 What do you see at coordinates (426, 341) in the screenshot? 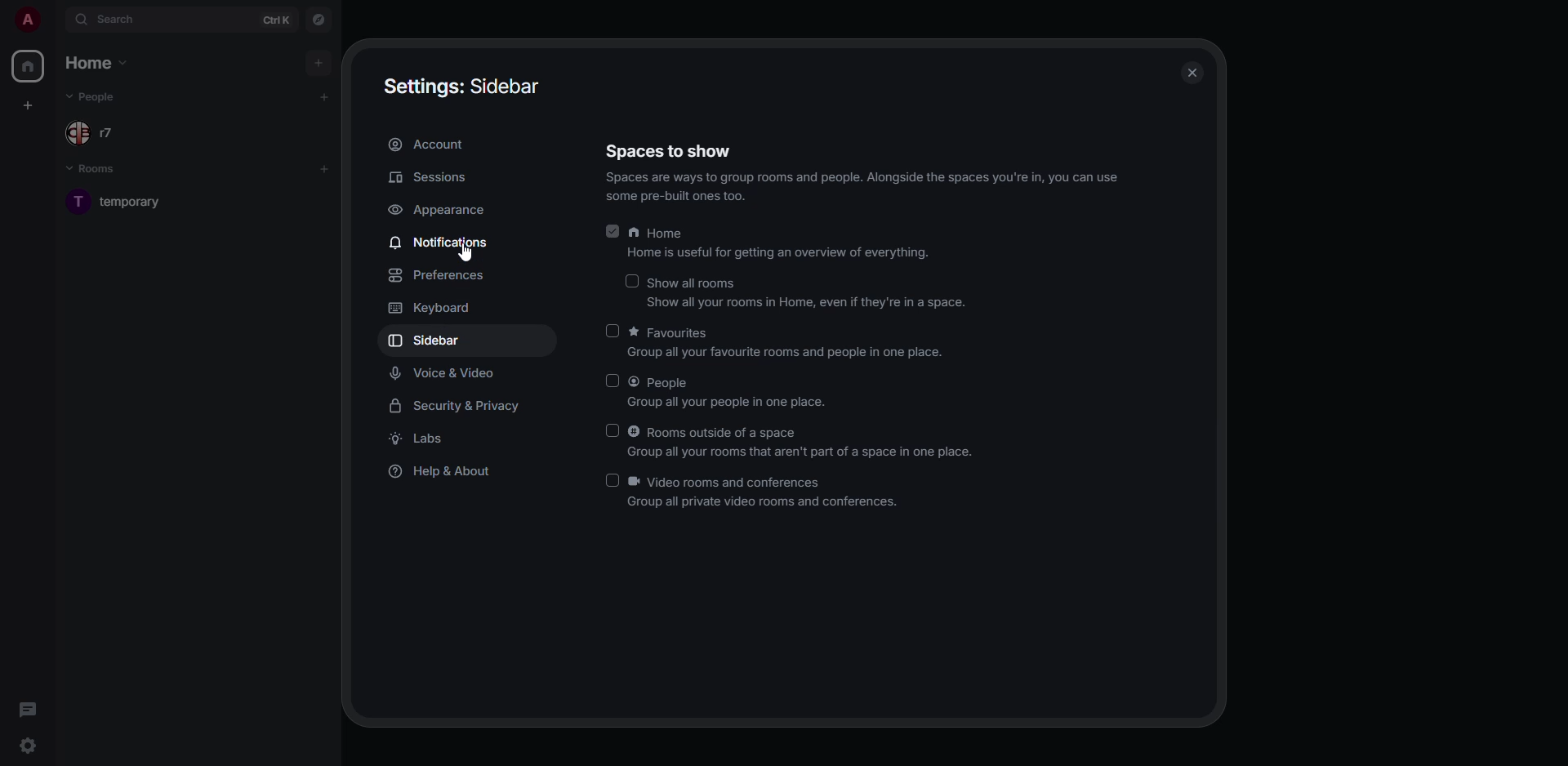
I see `sidebar` at bounding box center [426, 341].